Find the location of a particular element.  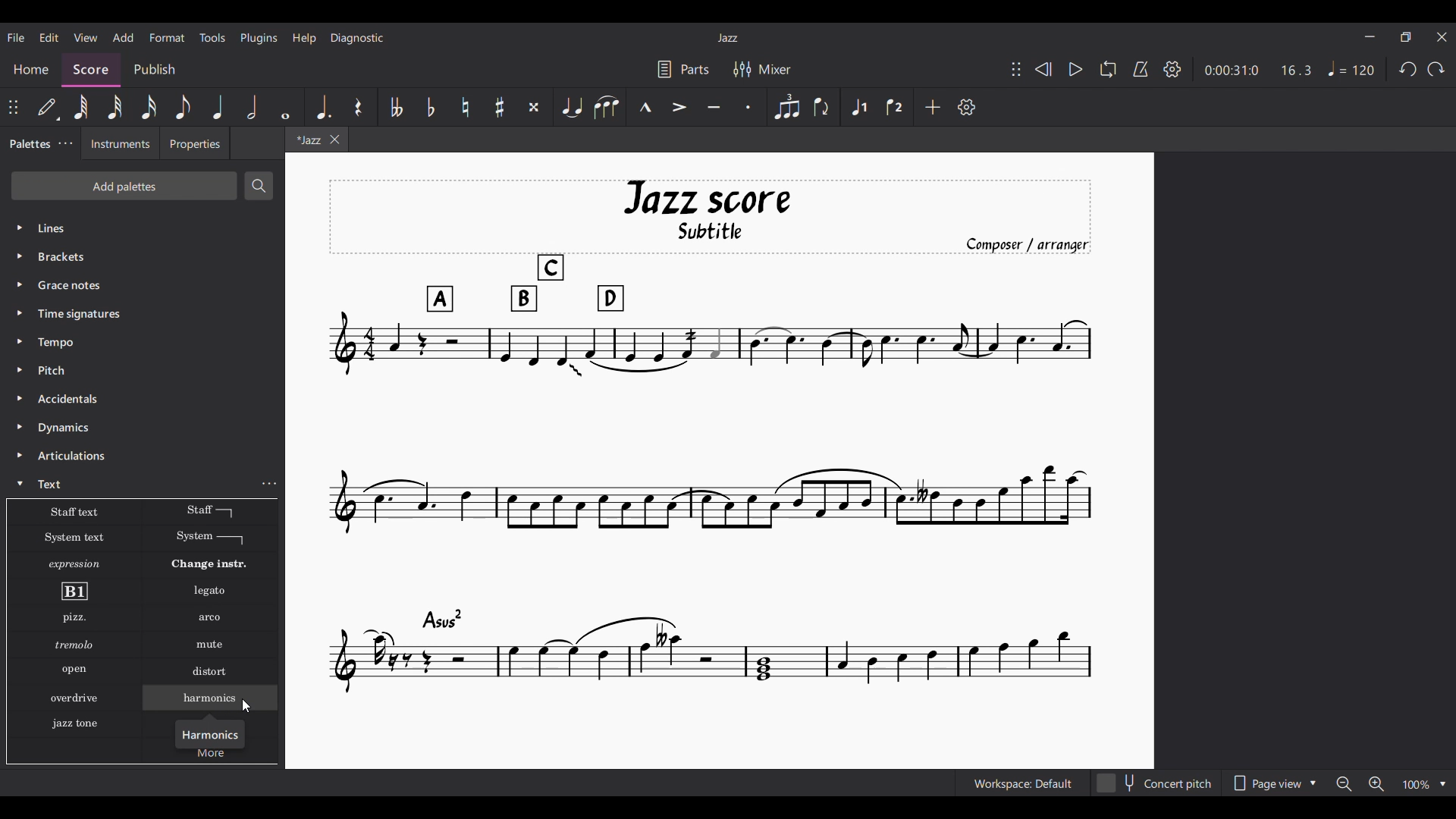

Harmonics is located at coordinates (219, 701).